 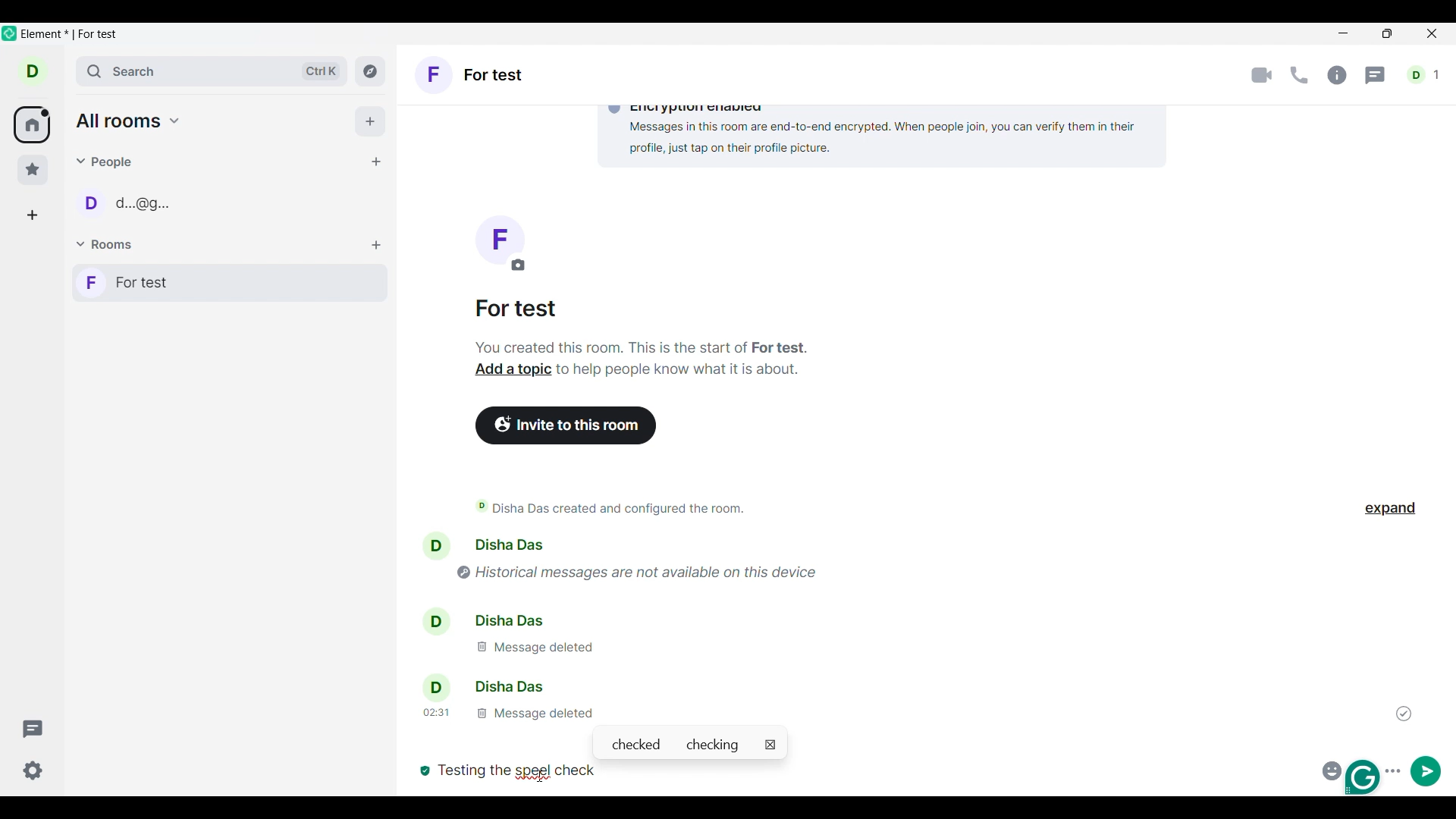 I want to click on Explore rooms, so click(x=370, y=71).